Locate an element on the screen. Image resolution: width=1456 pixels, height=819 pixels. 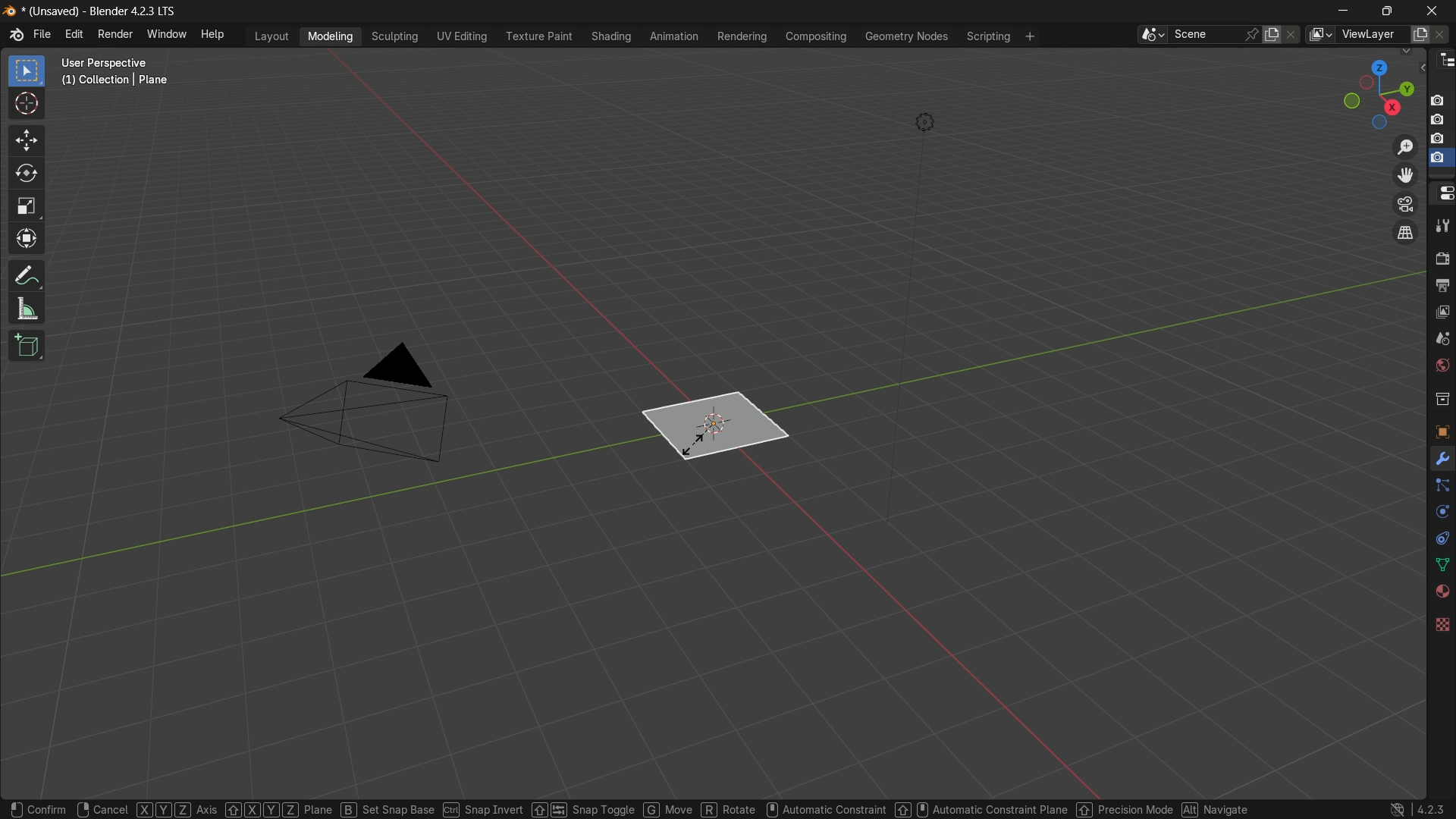
window menu is located at coordinates (166, 34).